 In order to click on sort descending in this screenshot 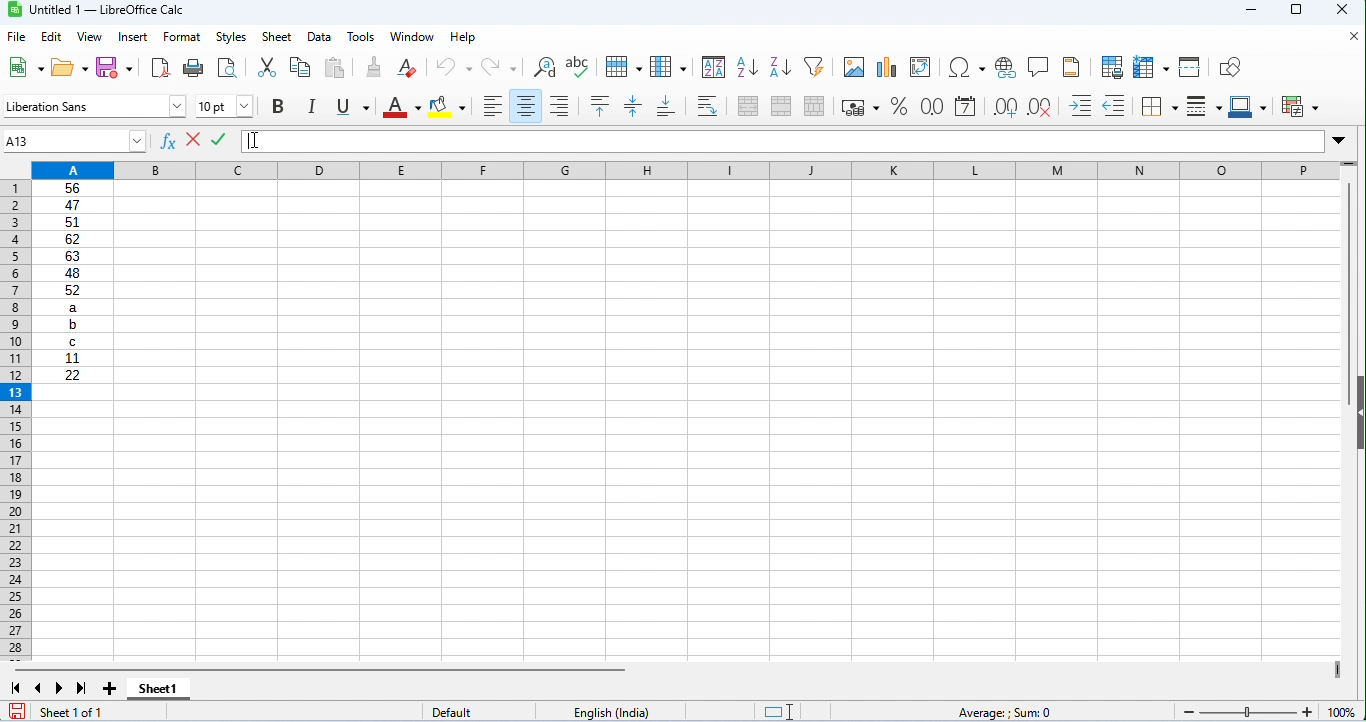, I will do `click(778, 66)`.